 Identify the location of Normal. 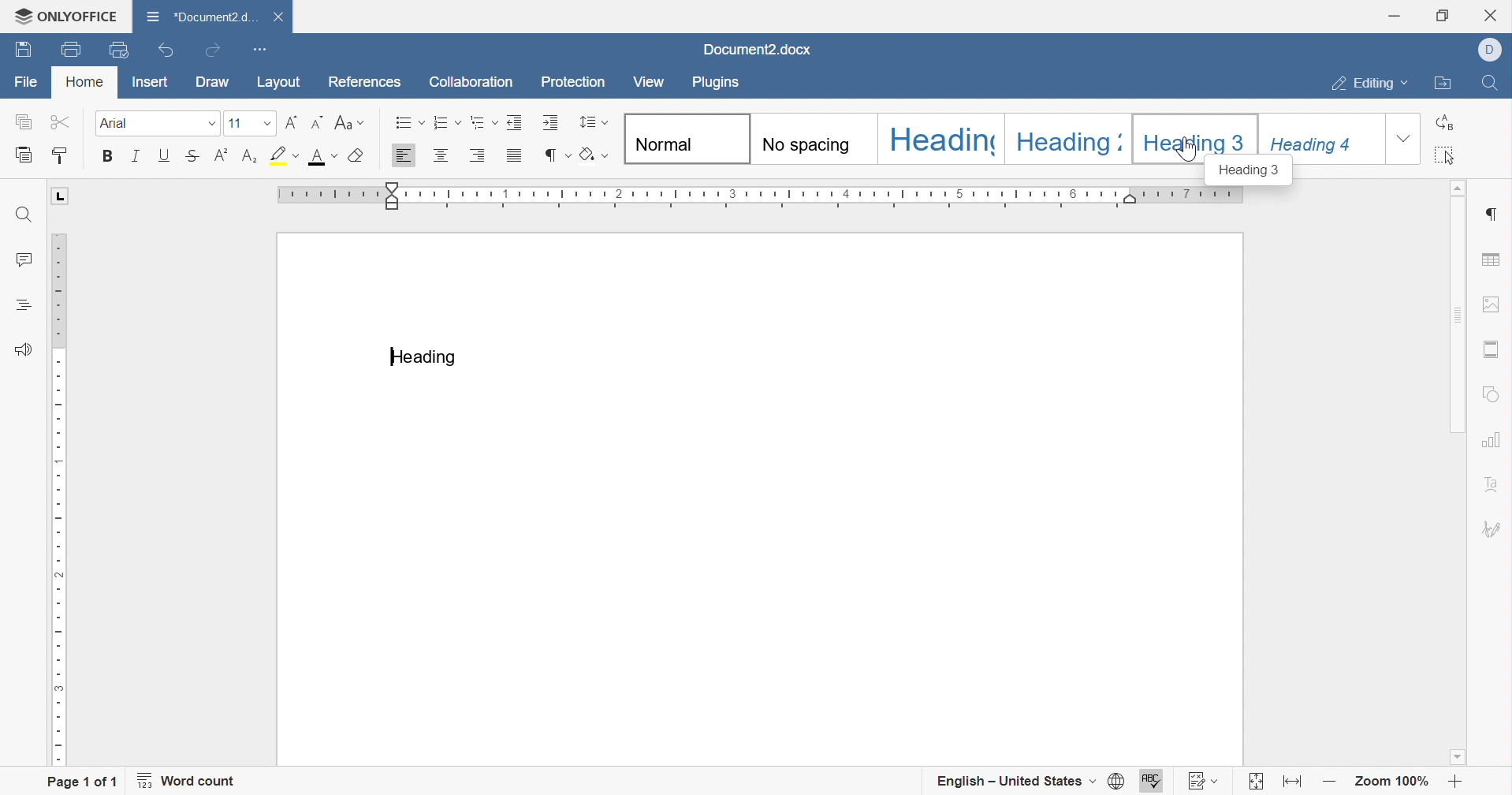
(683, 139).